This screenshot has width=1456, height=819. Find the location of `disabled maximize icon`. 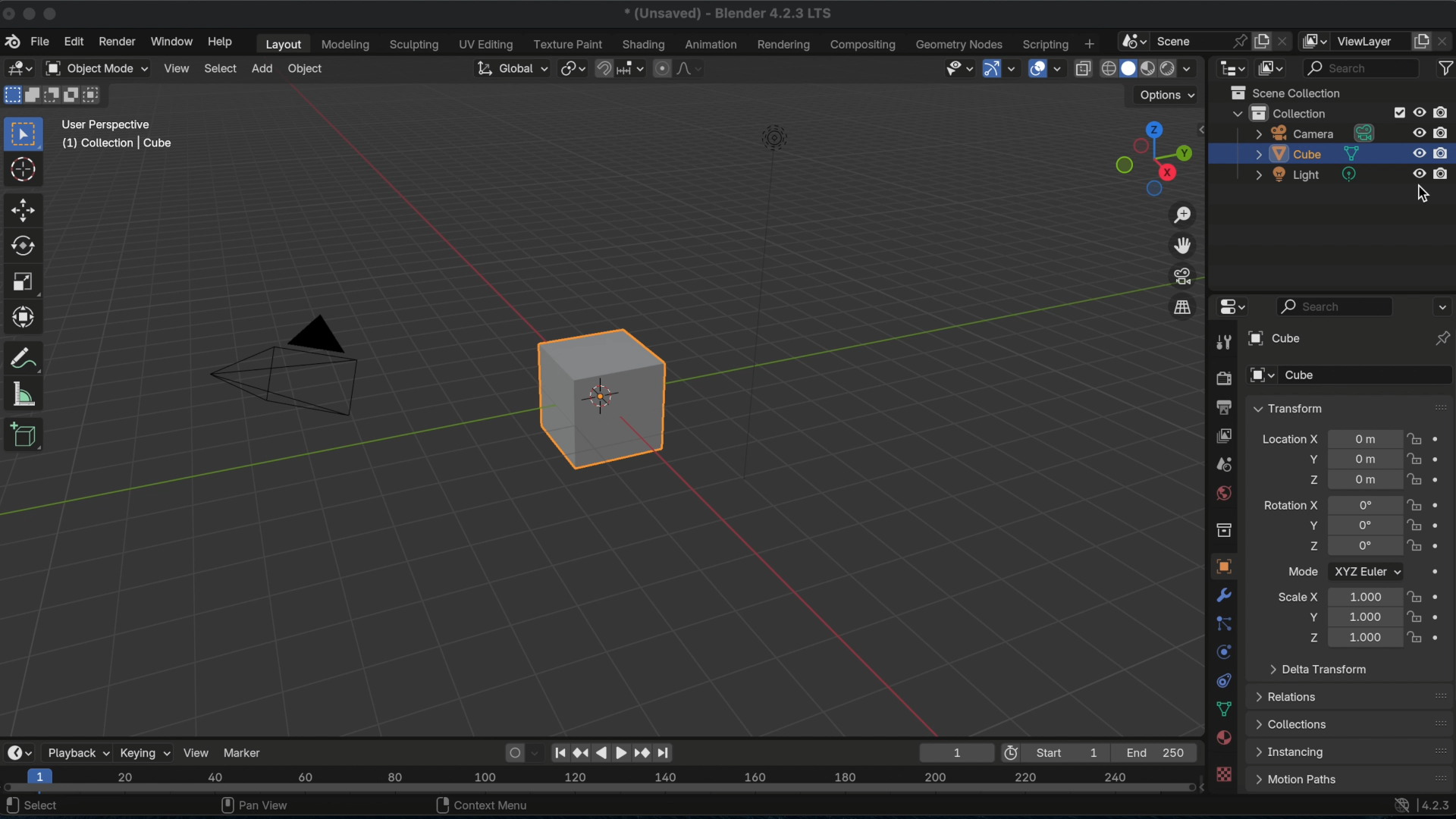

disabled maximize icon is located at coordinates (56, 11).